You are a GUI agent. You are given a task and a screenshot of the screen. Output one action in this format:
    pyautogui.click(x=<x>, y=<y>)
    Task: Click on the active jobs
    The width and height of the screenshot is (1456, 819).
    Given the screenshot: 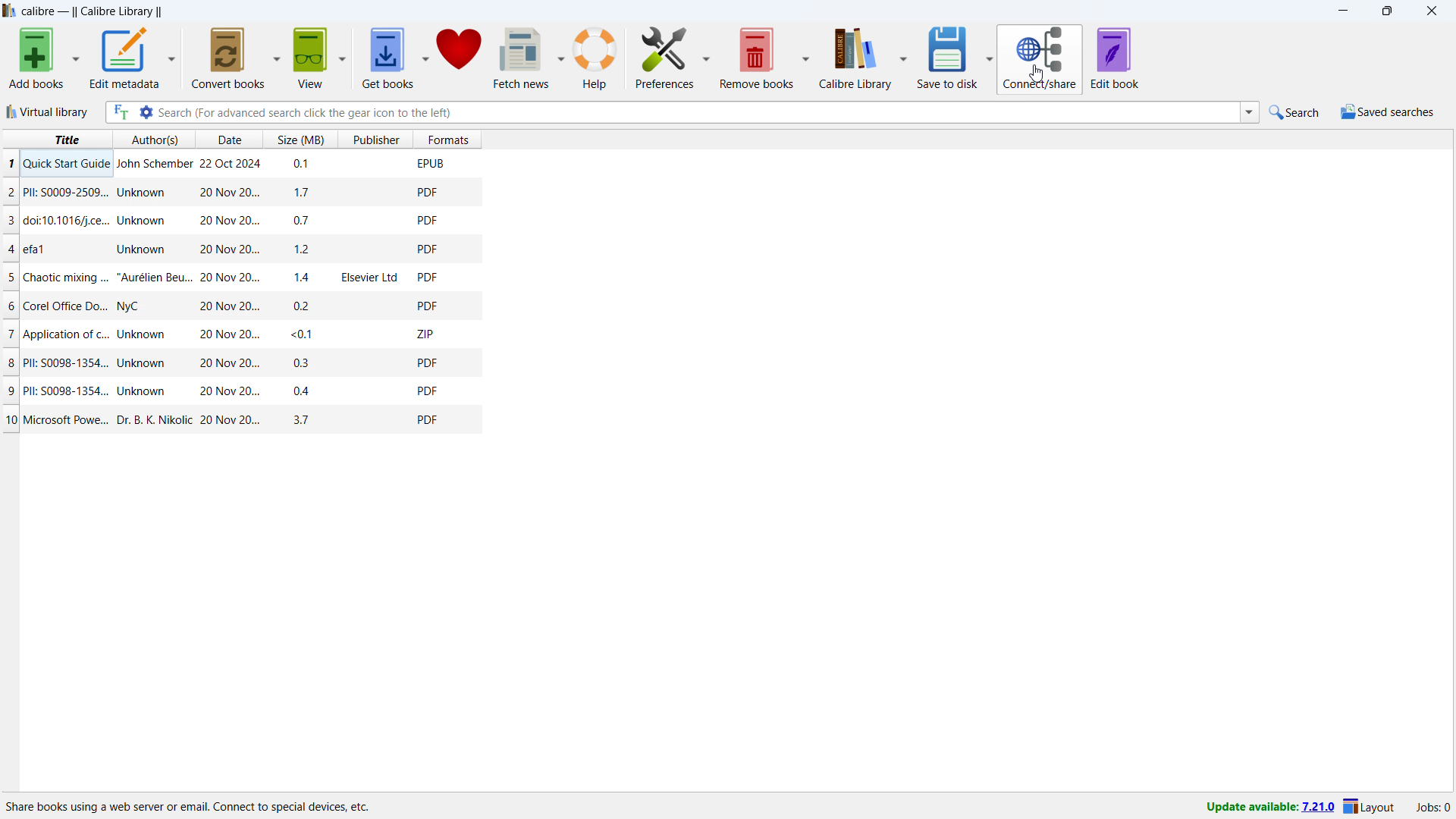 What is the action you would take?
    pyautogui.click(x=1433, y=808)
    